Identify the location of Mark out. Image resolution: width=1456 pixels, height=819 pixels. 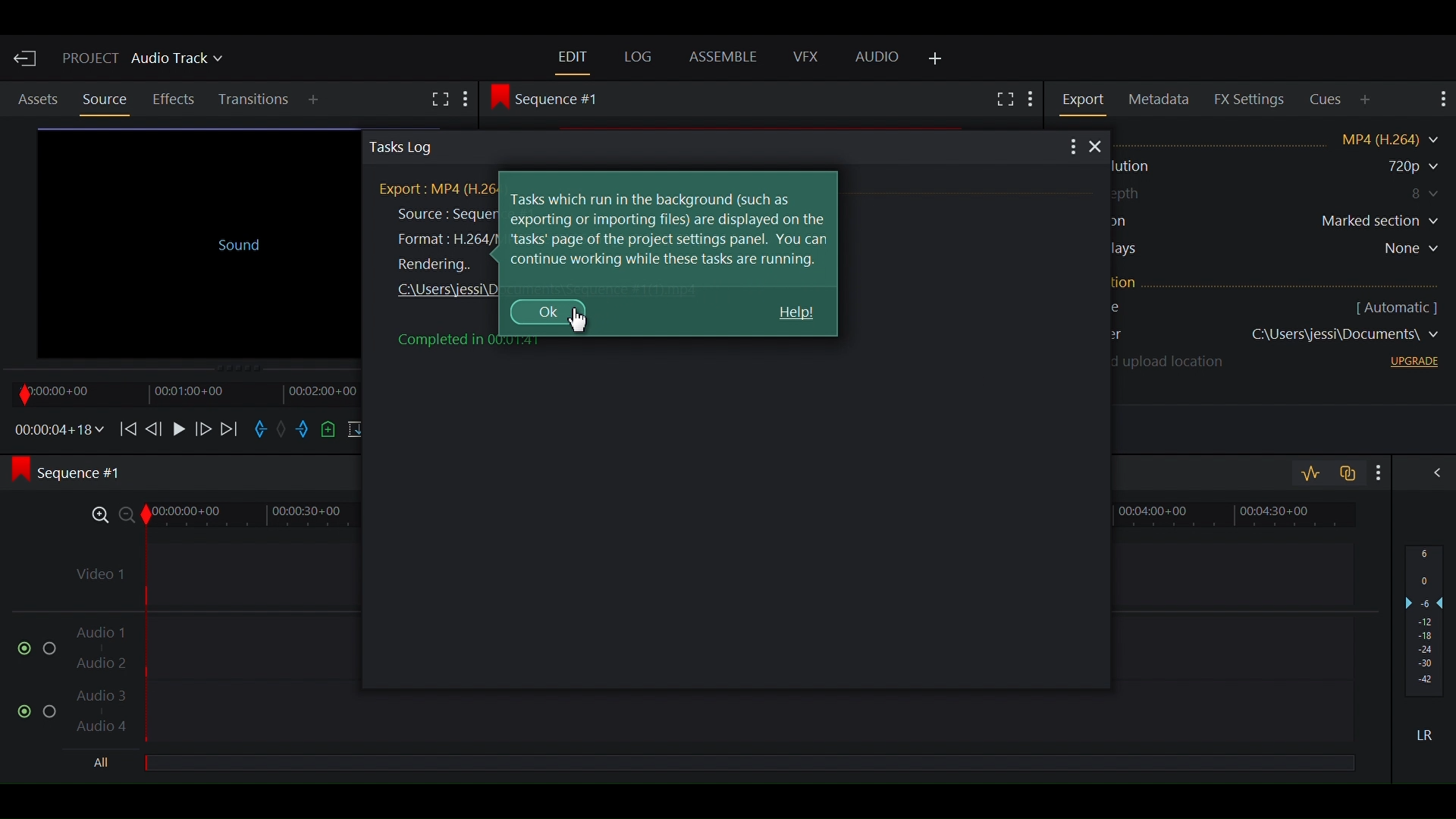
(304, 431).